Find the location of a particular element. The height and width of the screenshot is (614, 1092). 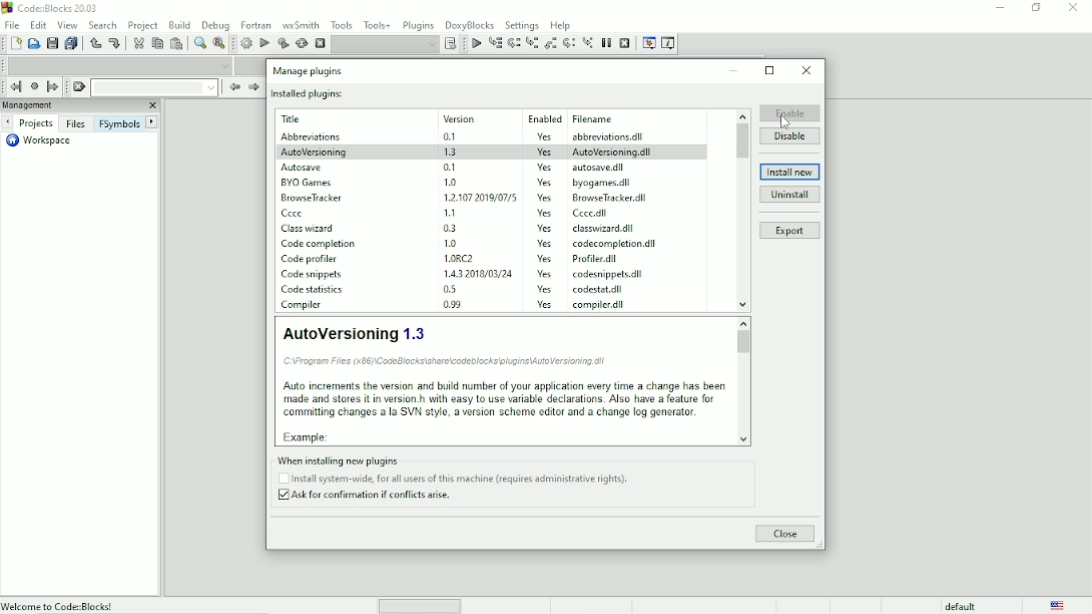

Run is located at coordinates (265, 44).